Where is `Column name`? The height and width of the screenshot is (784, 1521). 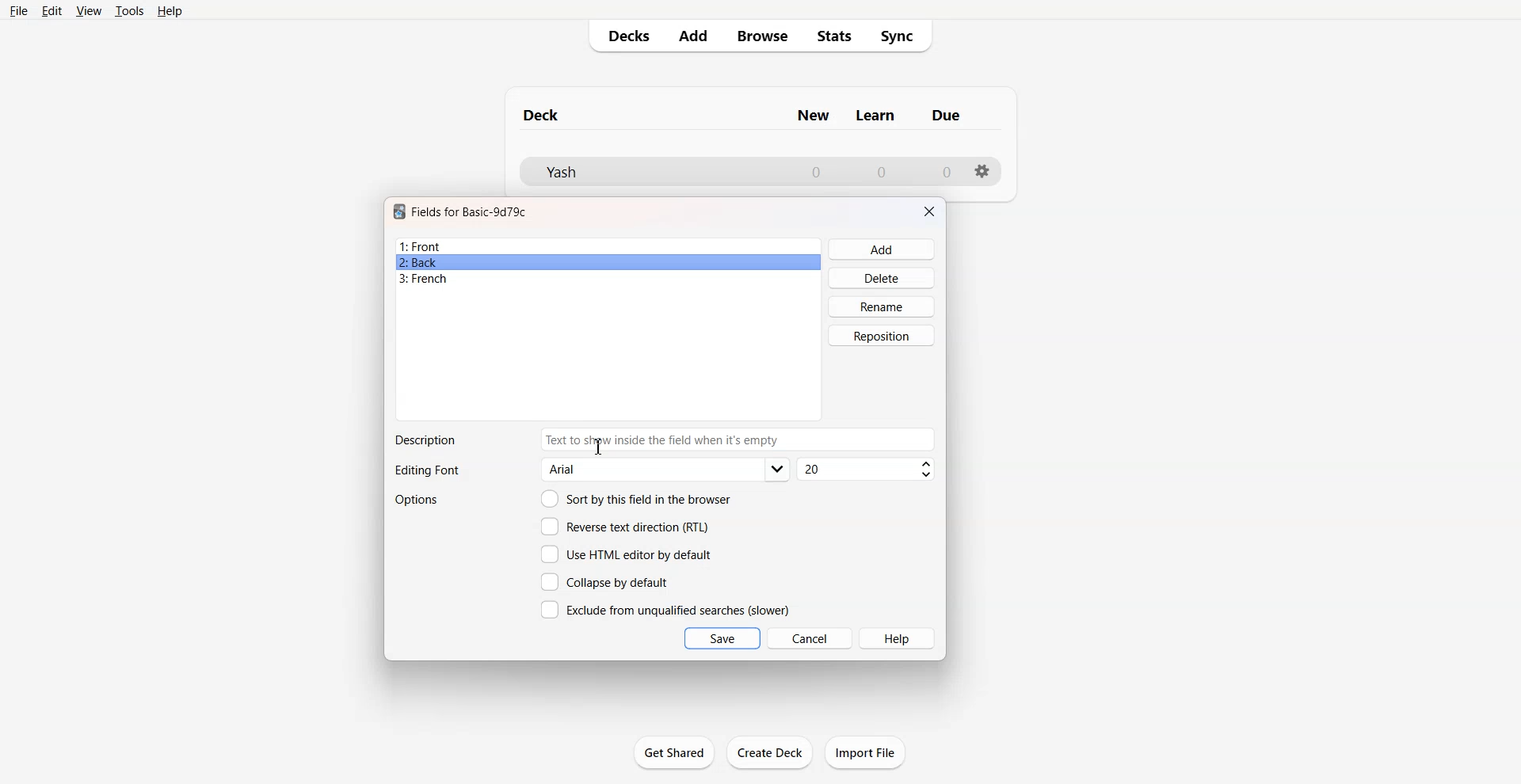 Column name is located at coordinates (946, 115).